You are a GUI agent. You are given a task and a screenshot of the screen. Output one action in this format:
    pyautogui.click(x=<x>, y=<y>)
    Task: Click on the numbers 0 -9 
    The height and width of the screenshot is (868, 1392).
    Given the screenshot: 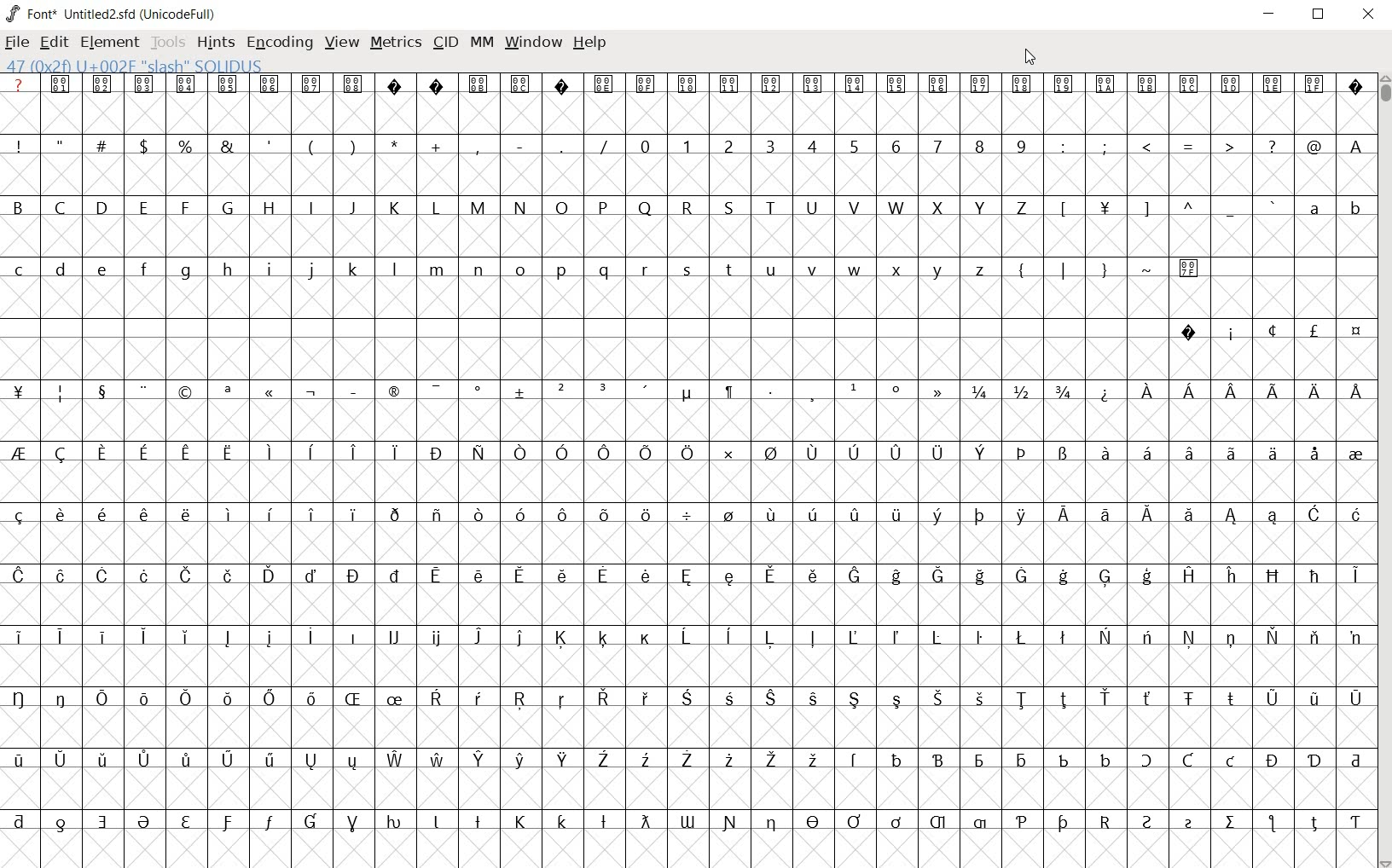 What is the action you would take?
    pyautogui.click(x=837, y=144)
    